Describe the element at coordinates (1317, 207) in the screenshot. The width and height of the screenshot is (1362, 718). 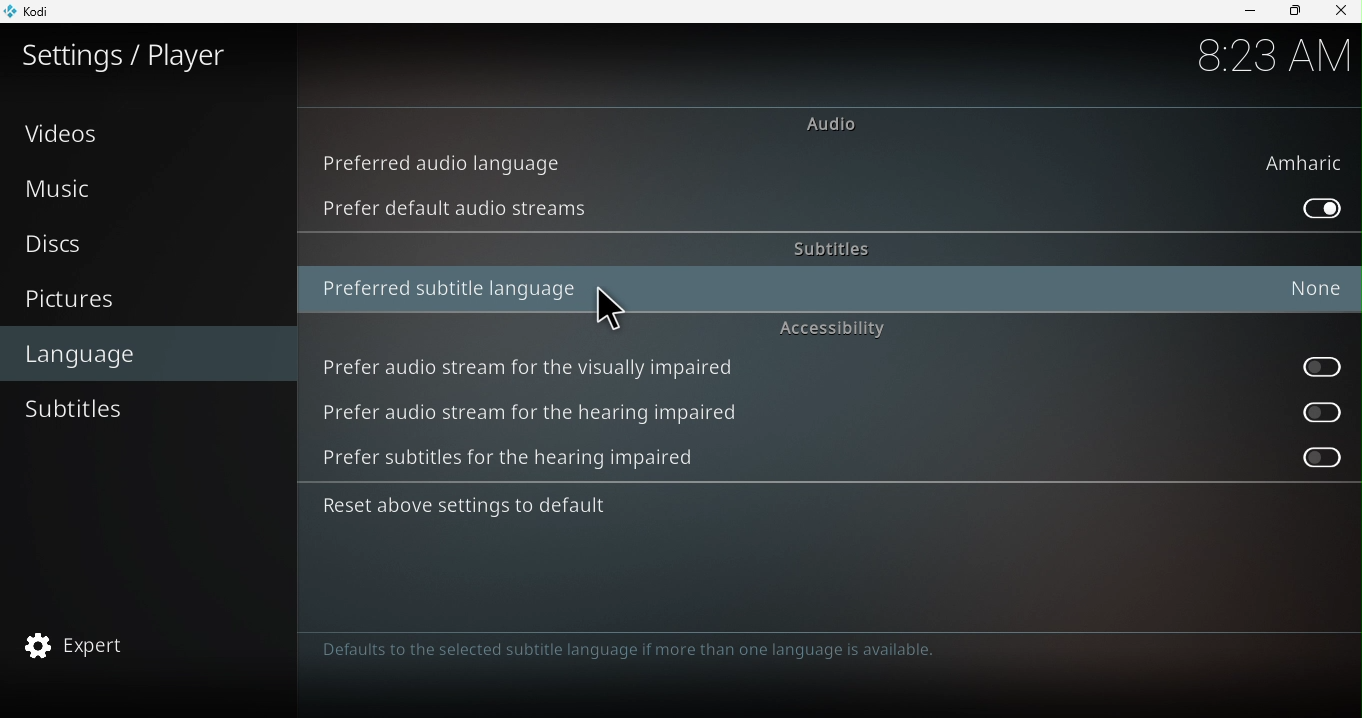
I see `Prefer default audio stream` at that location.